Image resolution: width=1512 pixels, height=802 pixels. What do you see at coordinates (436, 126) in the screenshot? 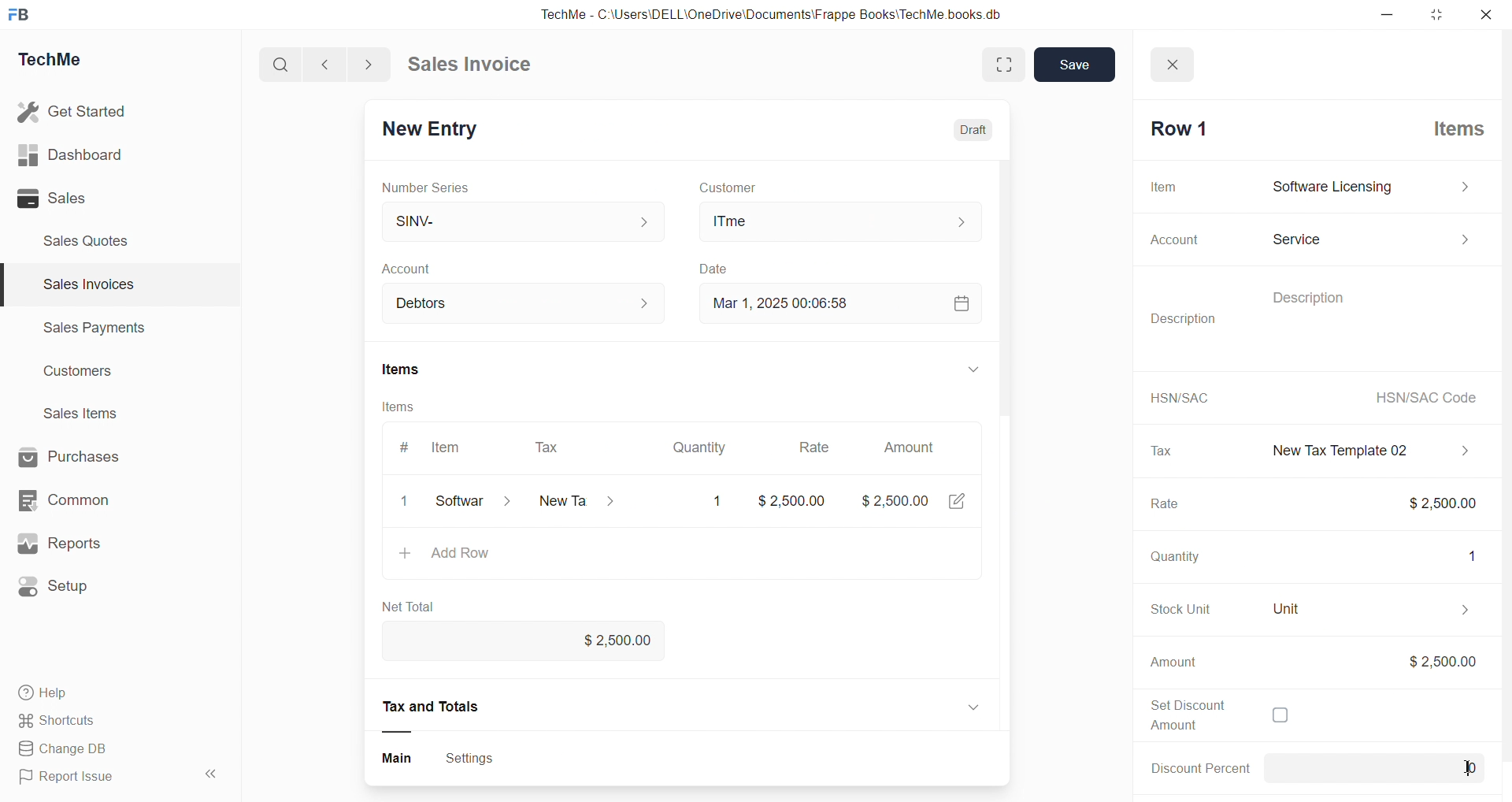
I see `New Entry` at bounding box center [436, 126].